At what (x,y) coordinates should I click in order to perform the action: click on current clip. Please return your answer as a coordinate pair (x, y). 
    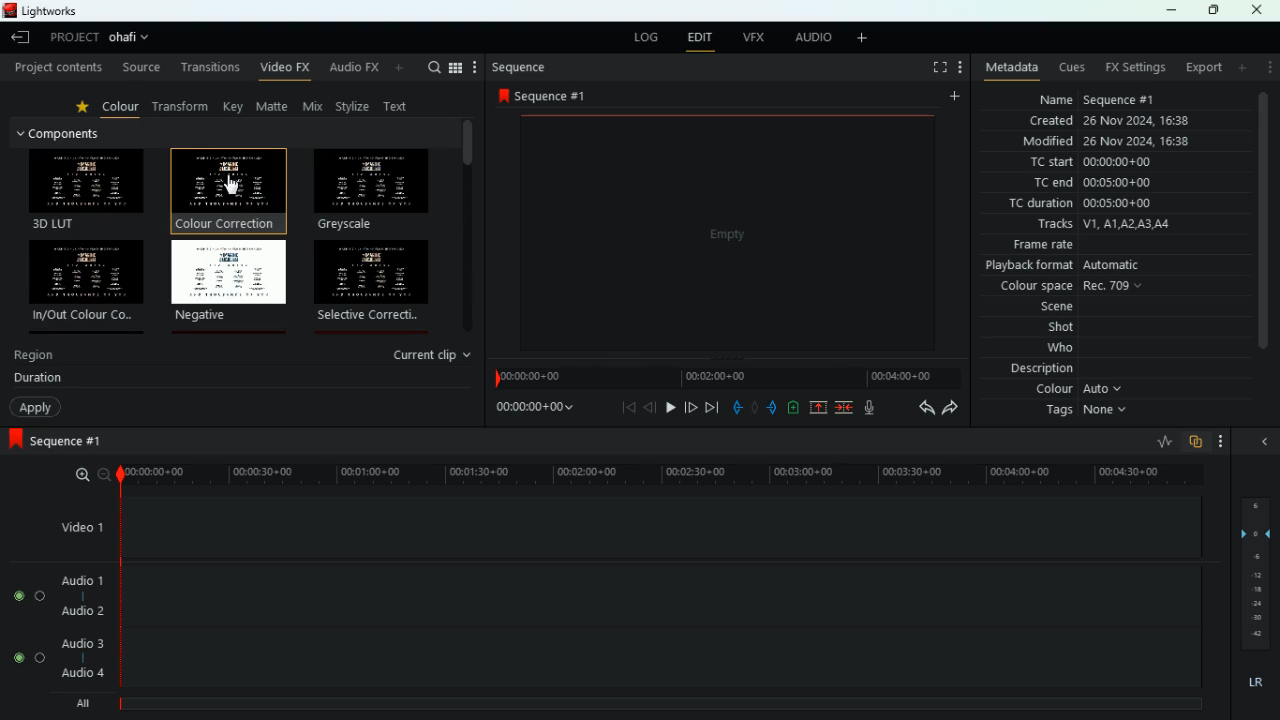
    Looking at the image, I should click on (434, 355).